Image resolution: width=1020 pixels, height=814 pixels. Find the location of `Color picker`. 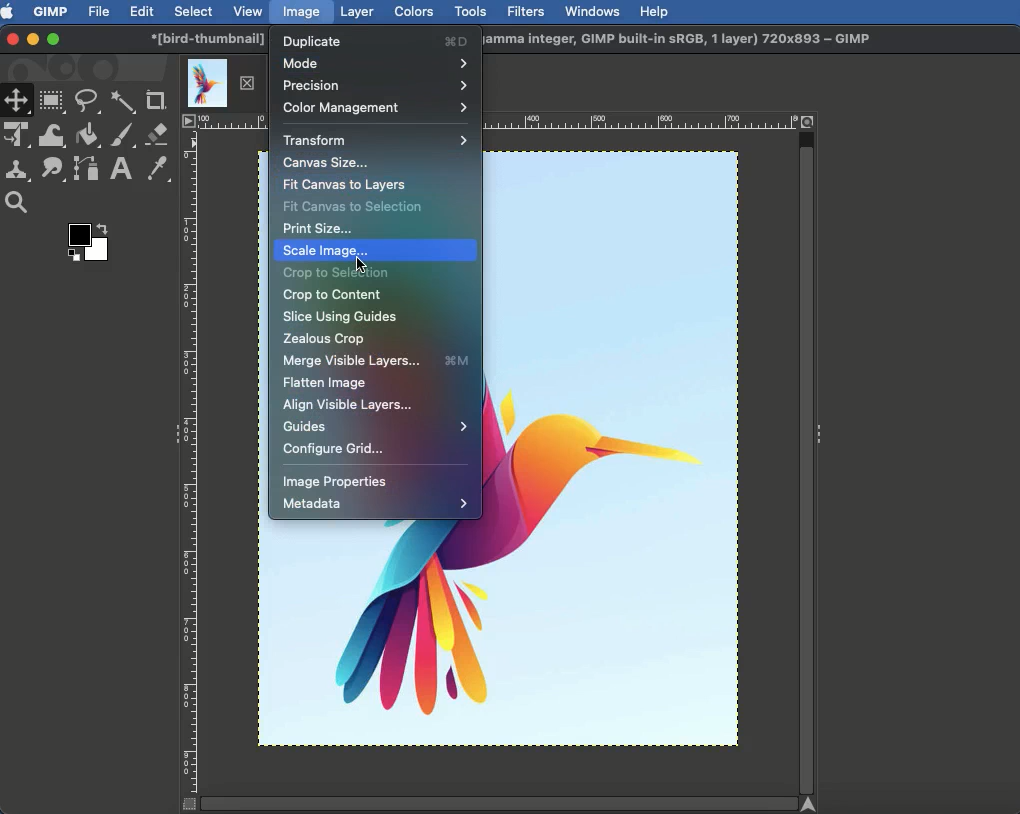

Color picker is located at coordinates (159, 169).